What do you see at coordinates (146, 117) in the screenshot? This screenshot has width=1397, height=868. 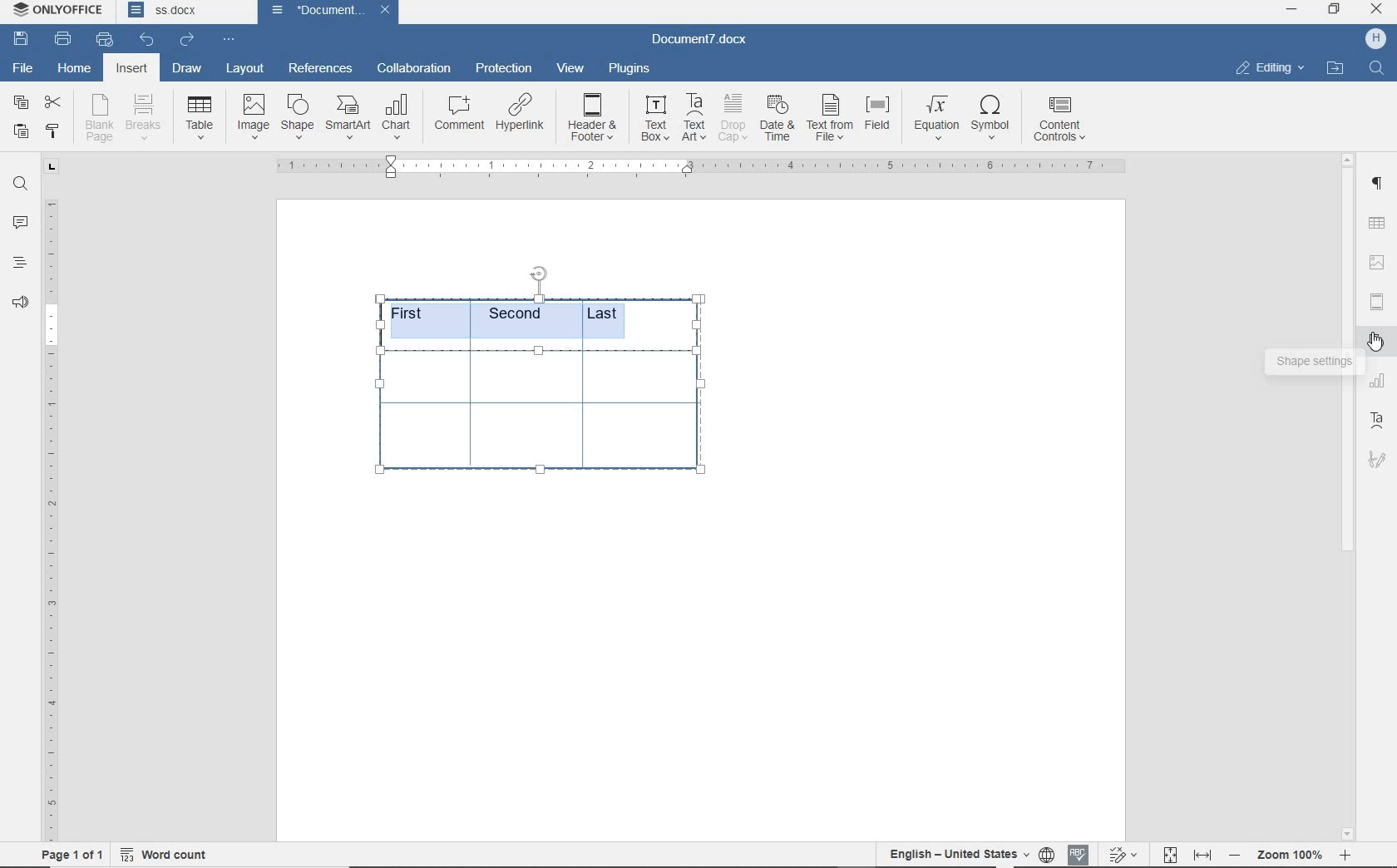 I see `breaks` at bounding box center [146, 117].